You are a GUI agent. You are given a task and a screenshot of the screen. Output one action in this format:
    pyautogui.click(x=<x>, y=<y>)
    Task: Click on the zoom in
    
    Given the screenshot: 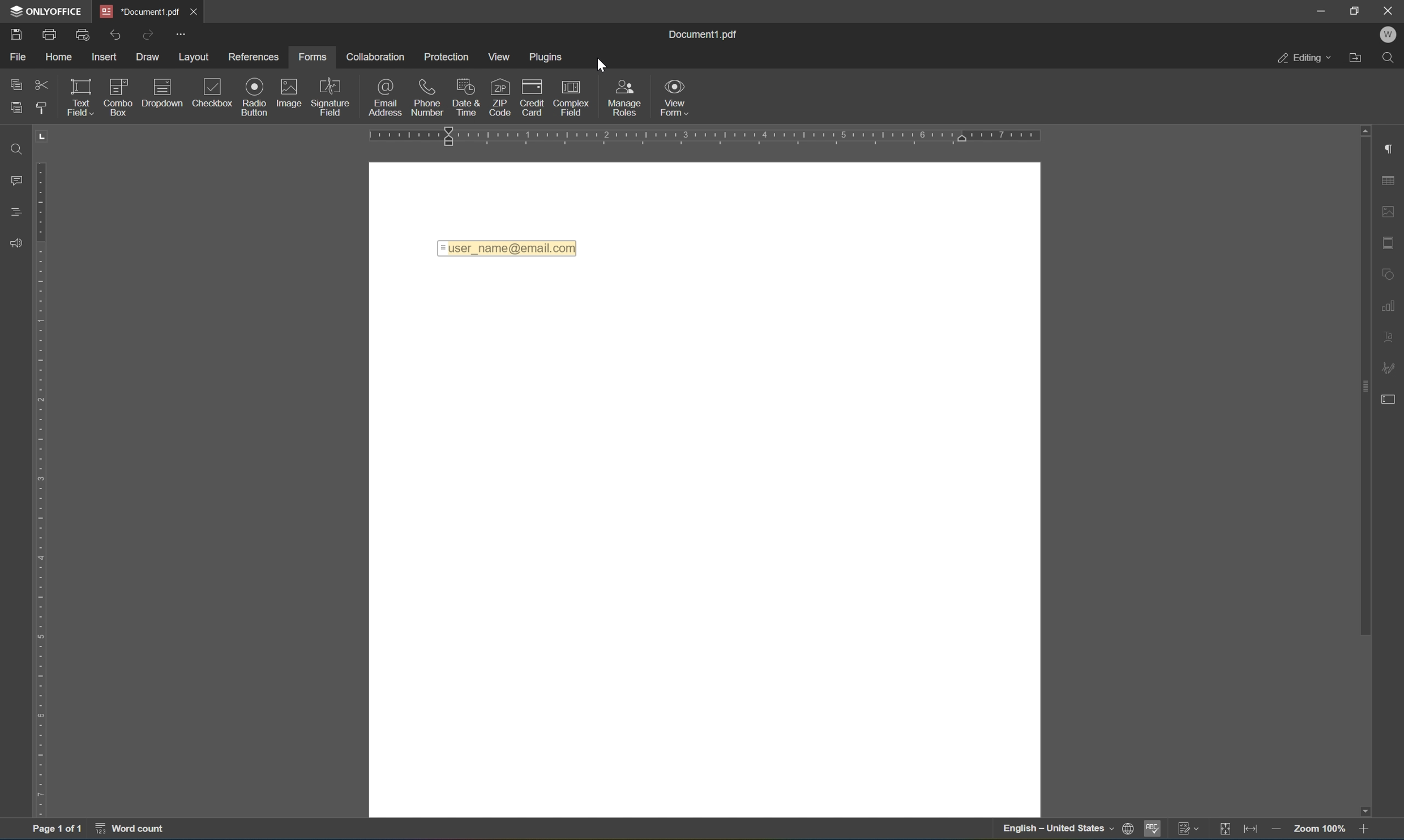 What is the action you would take?
    pyautogui.click(x=1362, y=830)
    